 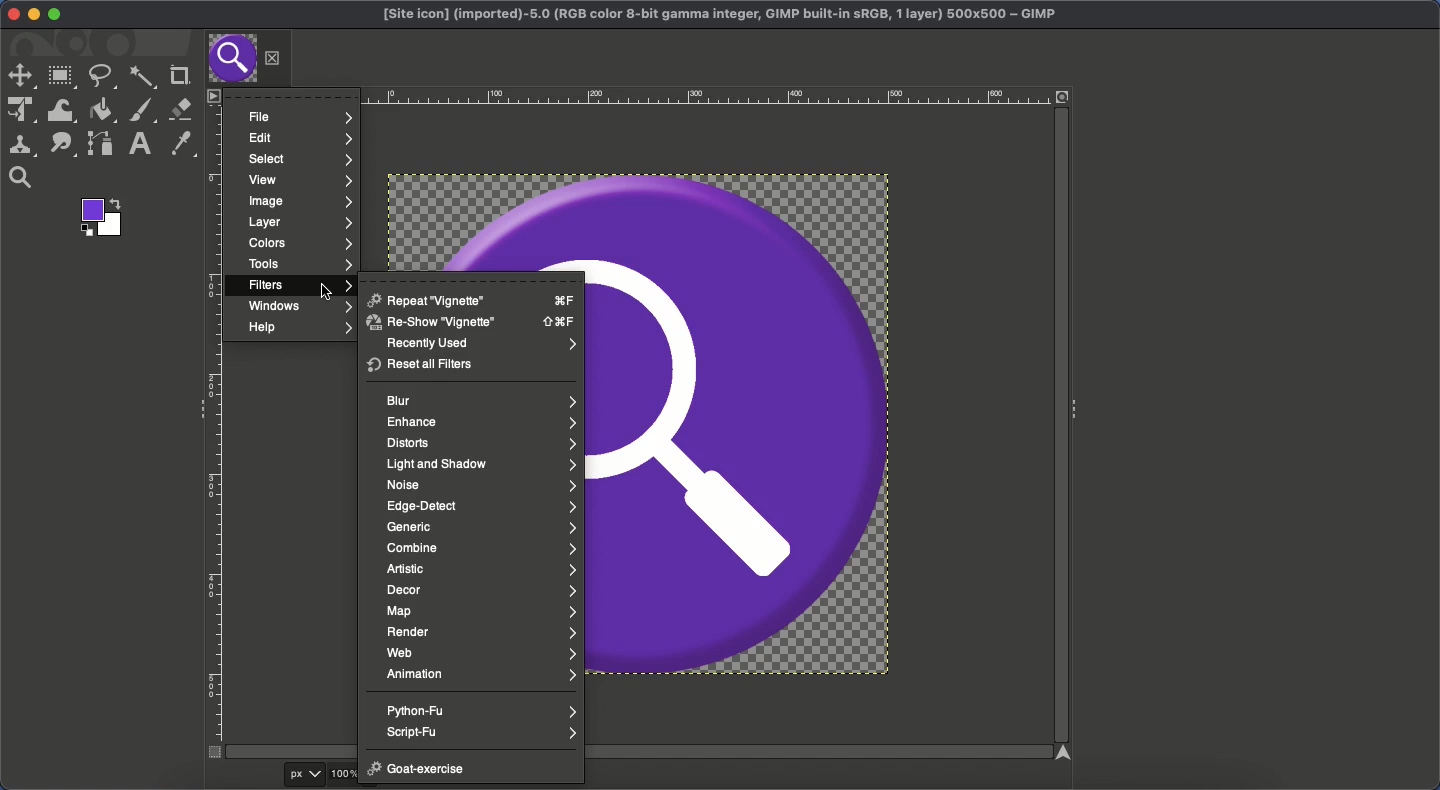 I want to click on Text, so click(x=137, y=144).